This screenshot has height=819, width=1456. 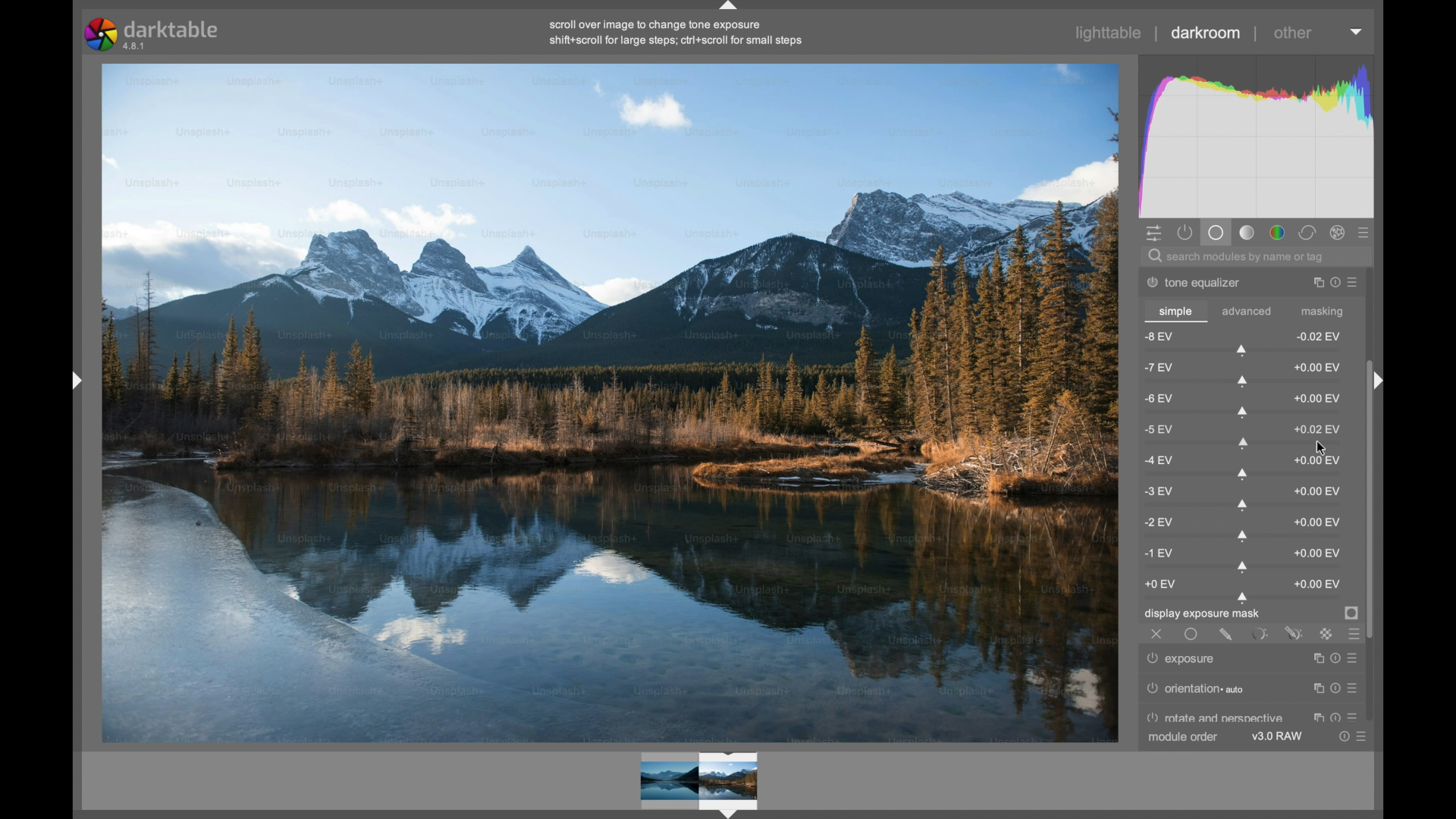 I want to click on slider, so click(x=1241, y=473).